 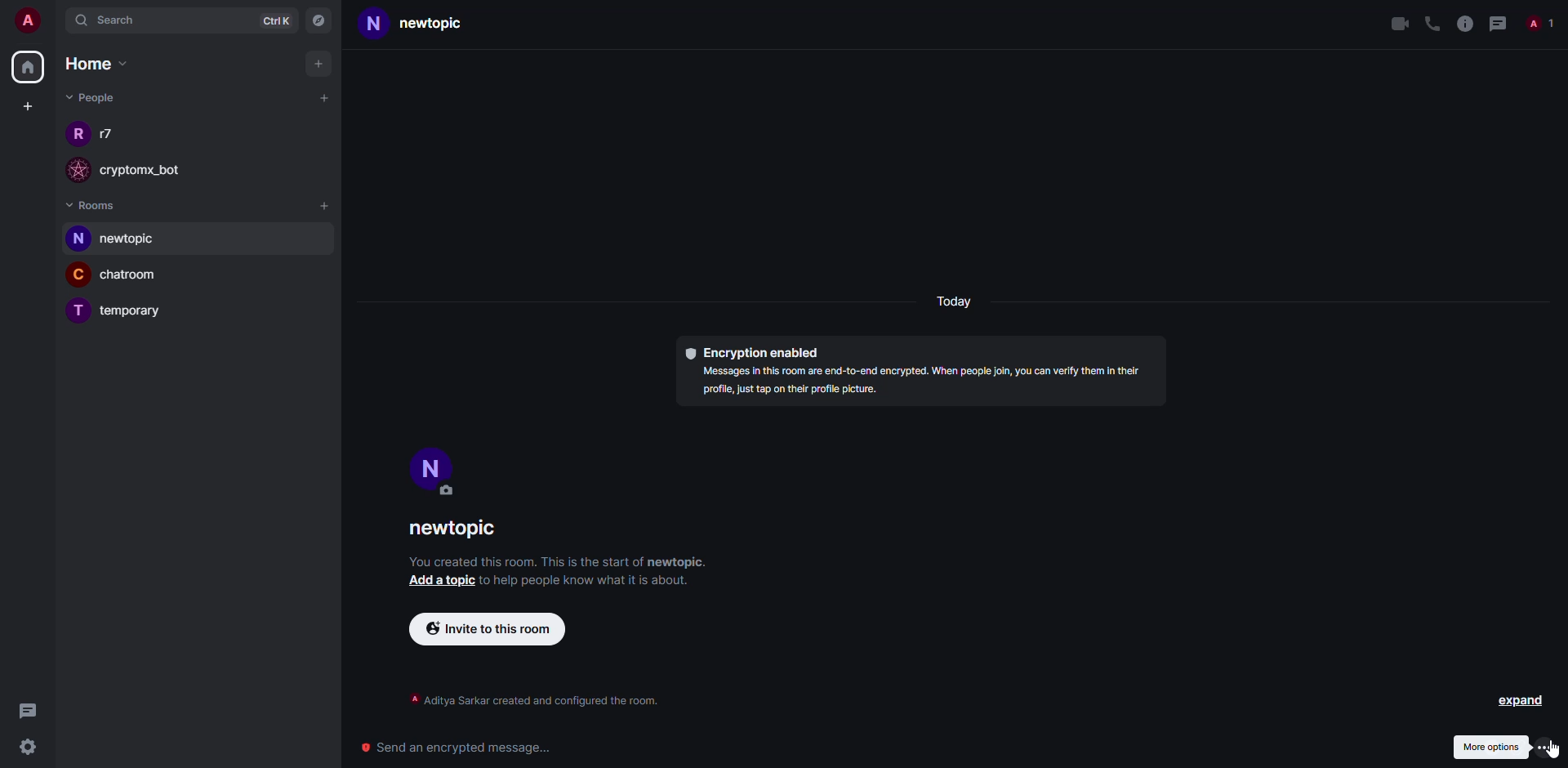 What do you see at coordinates (432, 463) in the screenshot?
I see `profile` at bounding box center [432, 463].